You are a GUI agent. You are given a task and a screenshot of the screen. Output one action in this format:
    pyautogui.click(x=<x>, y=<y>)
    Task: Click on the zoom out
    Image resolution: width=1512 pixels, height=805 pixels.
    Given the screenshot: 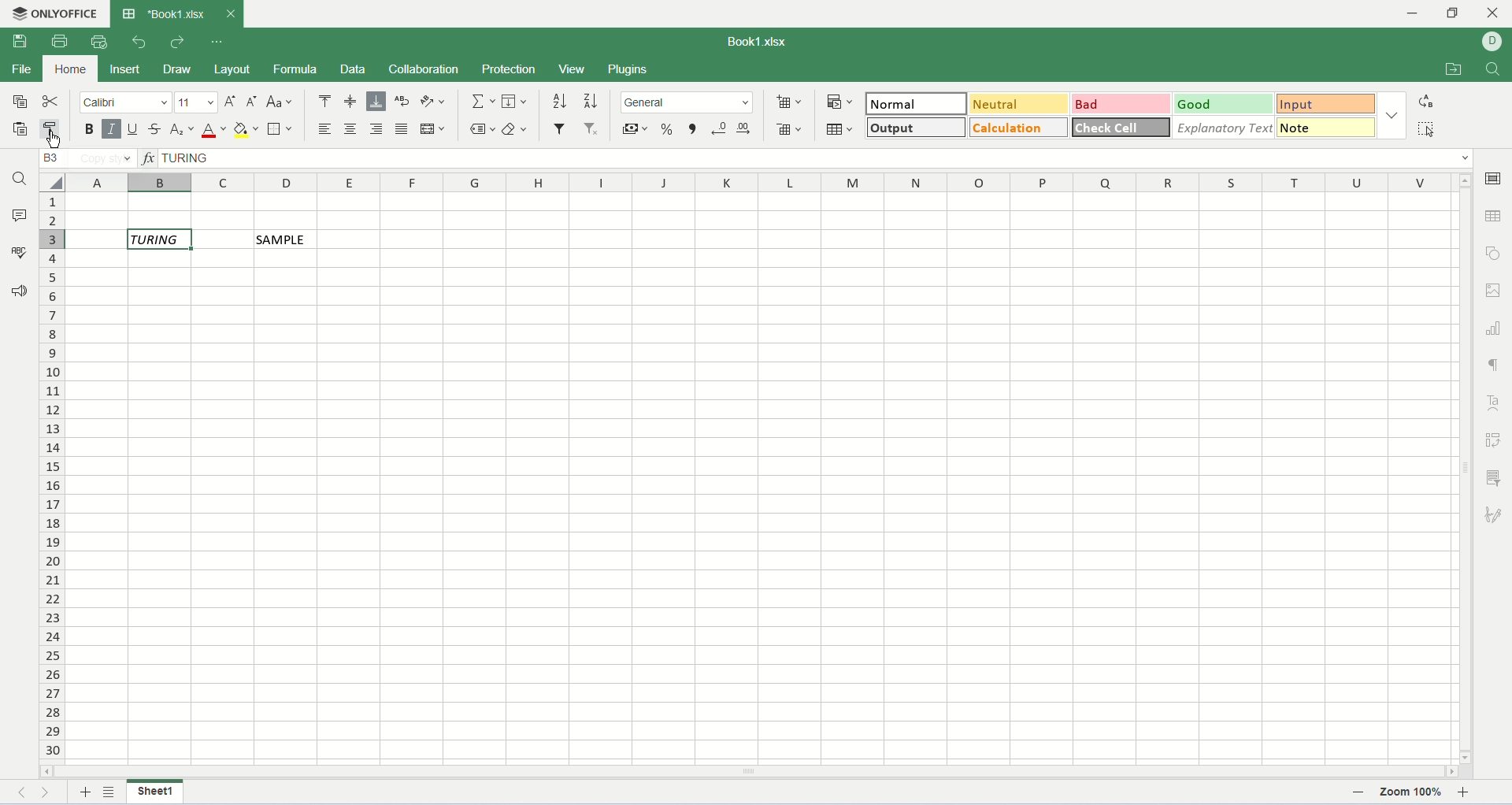 What is the action you would take?
    pyautogui.click(x=1361, y=796)
    